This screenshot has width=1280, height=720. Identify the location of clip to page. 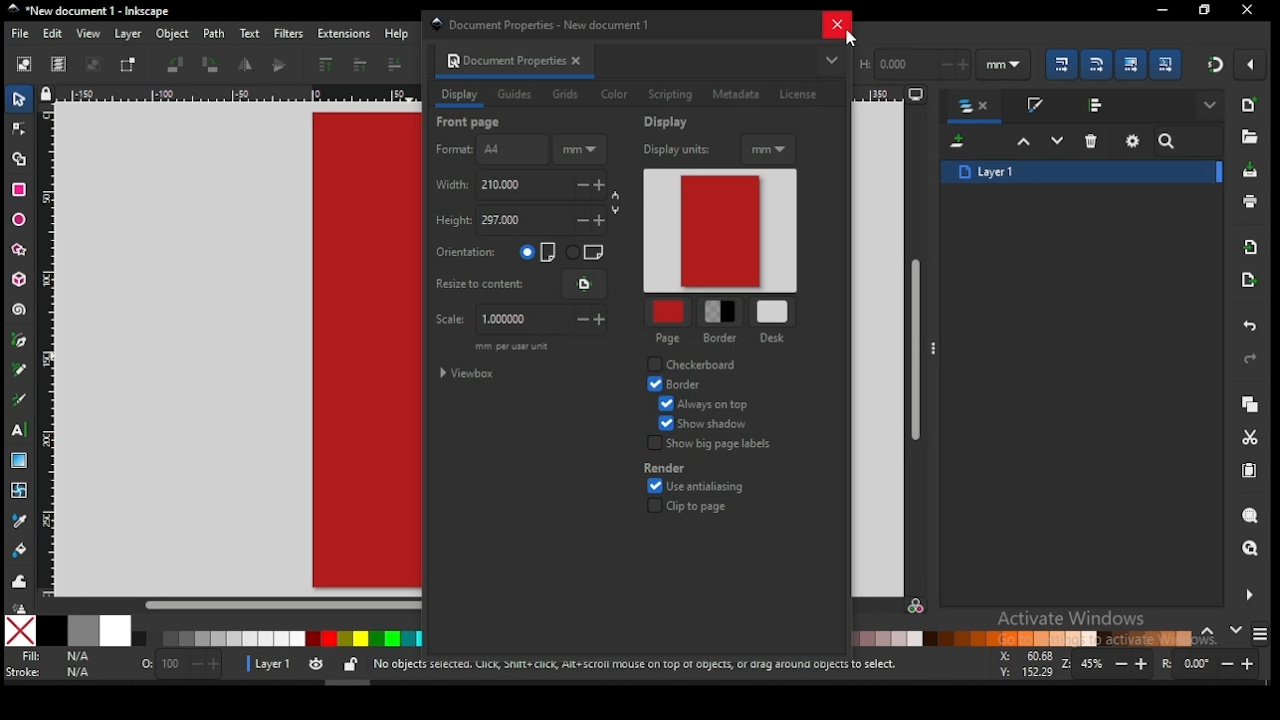
(694, 506).